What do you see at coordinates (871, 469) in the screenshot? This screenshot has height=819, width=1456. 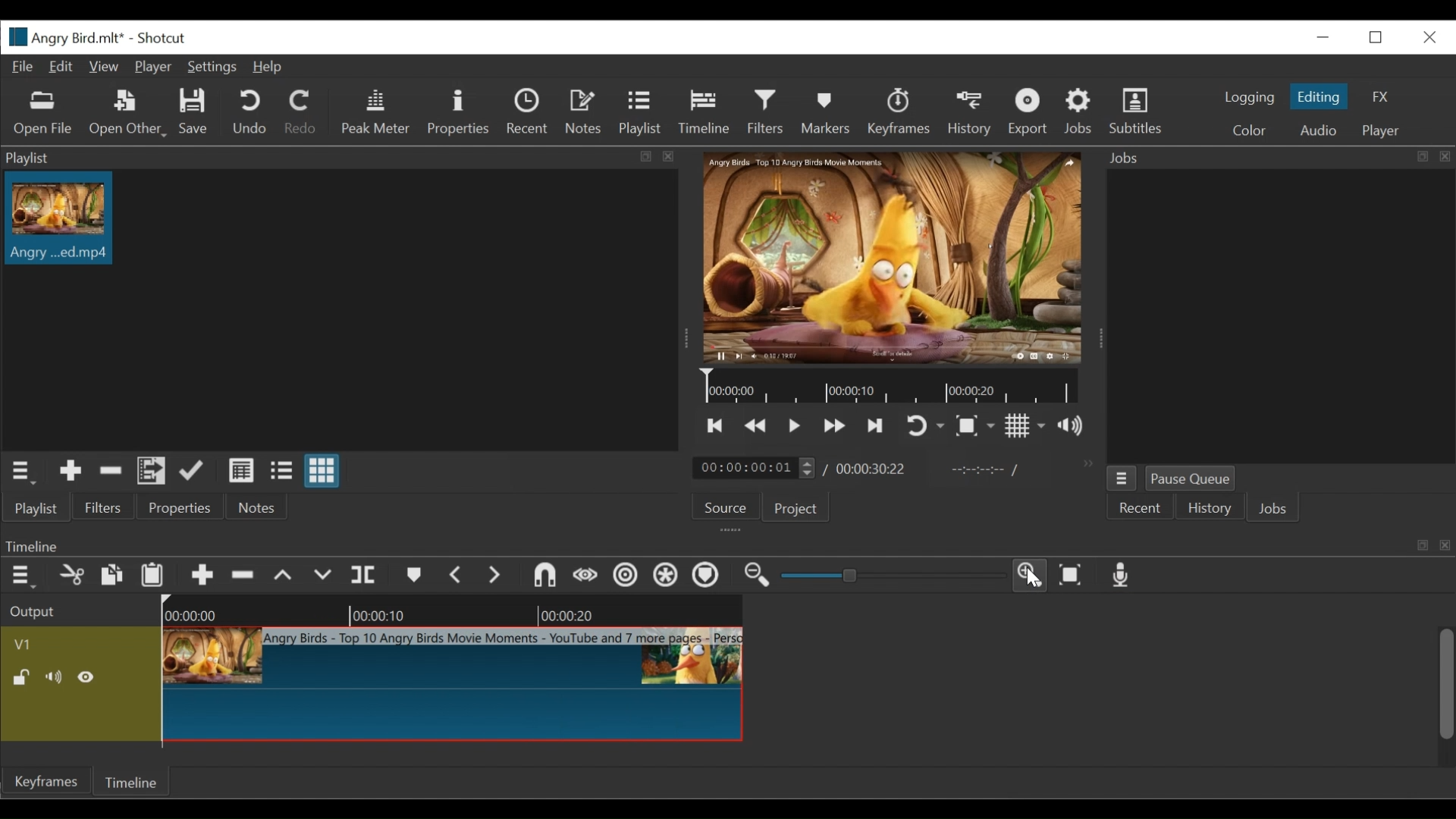 I see `Total duration` at bounding box center [871, 469].